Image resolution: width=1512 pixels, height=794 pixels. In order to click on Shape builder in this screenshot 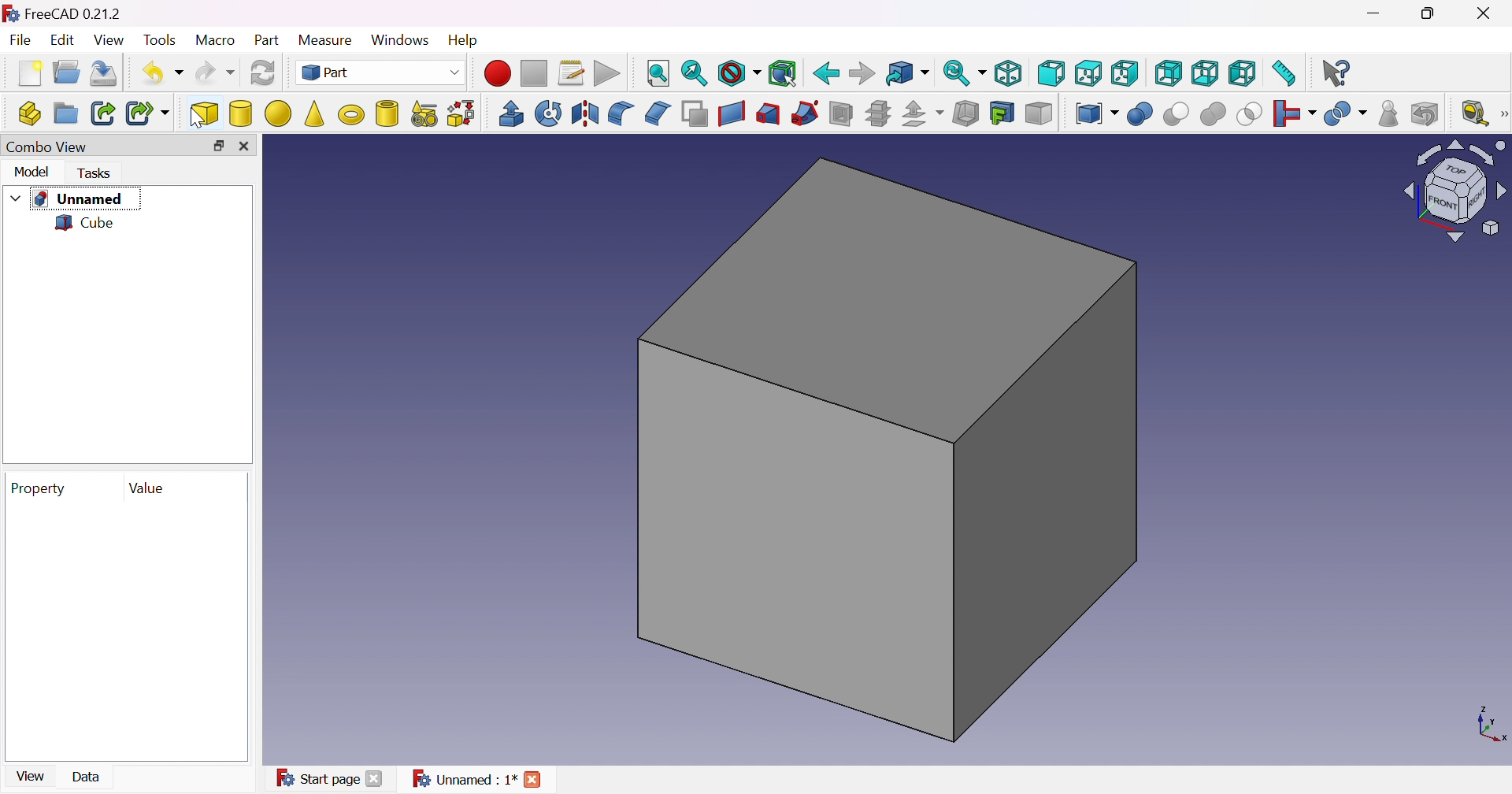, I will do `click(462, 114)`.